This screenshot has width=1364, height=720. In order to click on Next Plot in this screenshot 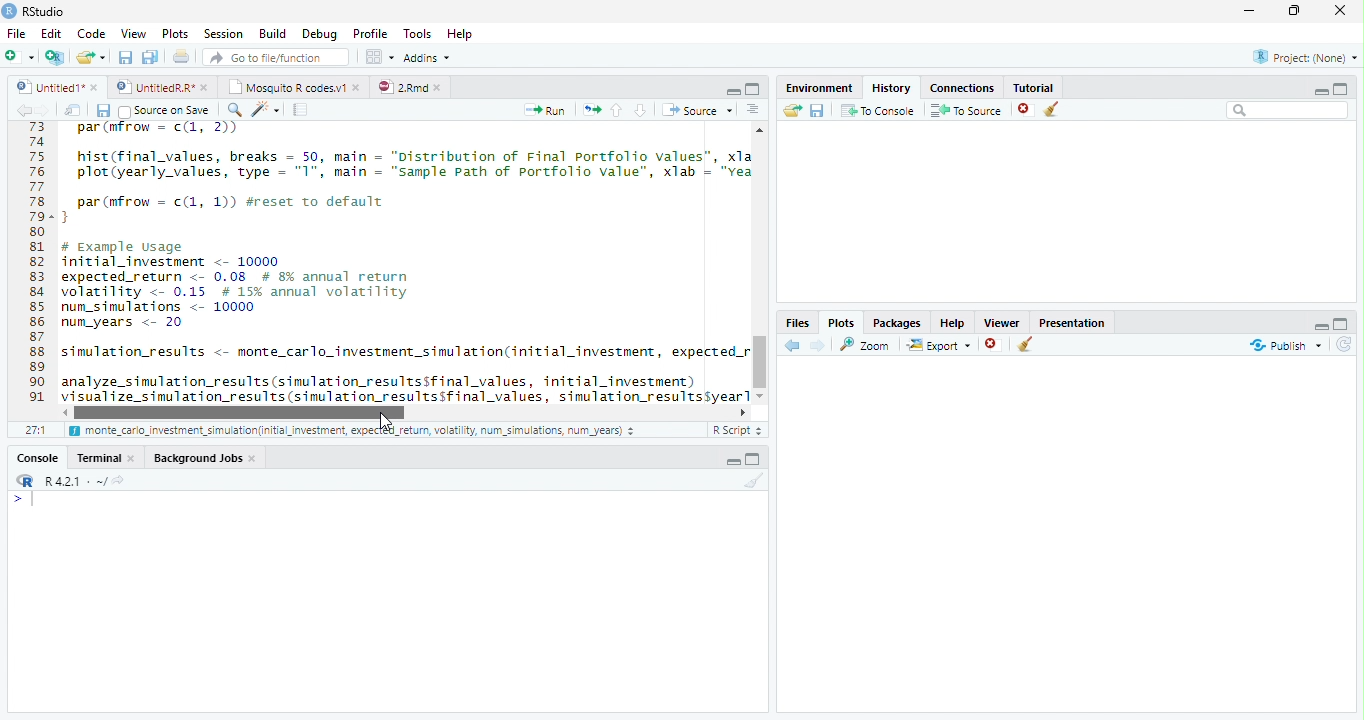, I will do `click(818, 345)`.